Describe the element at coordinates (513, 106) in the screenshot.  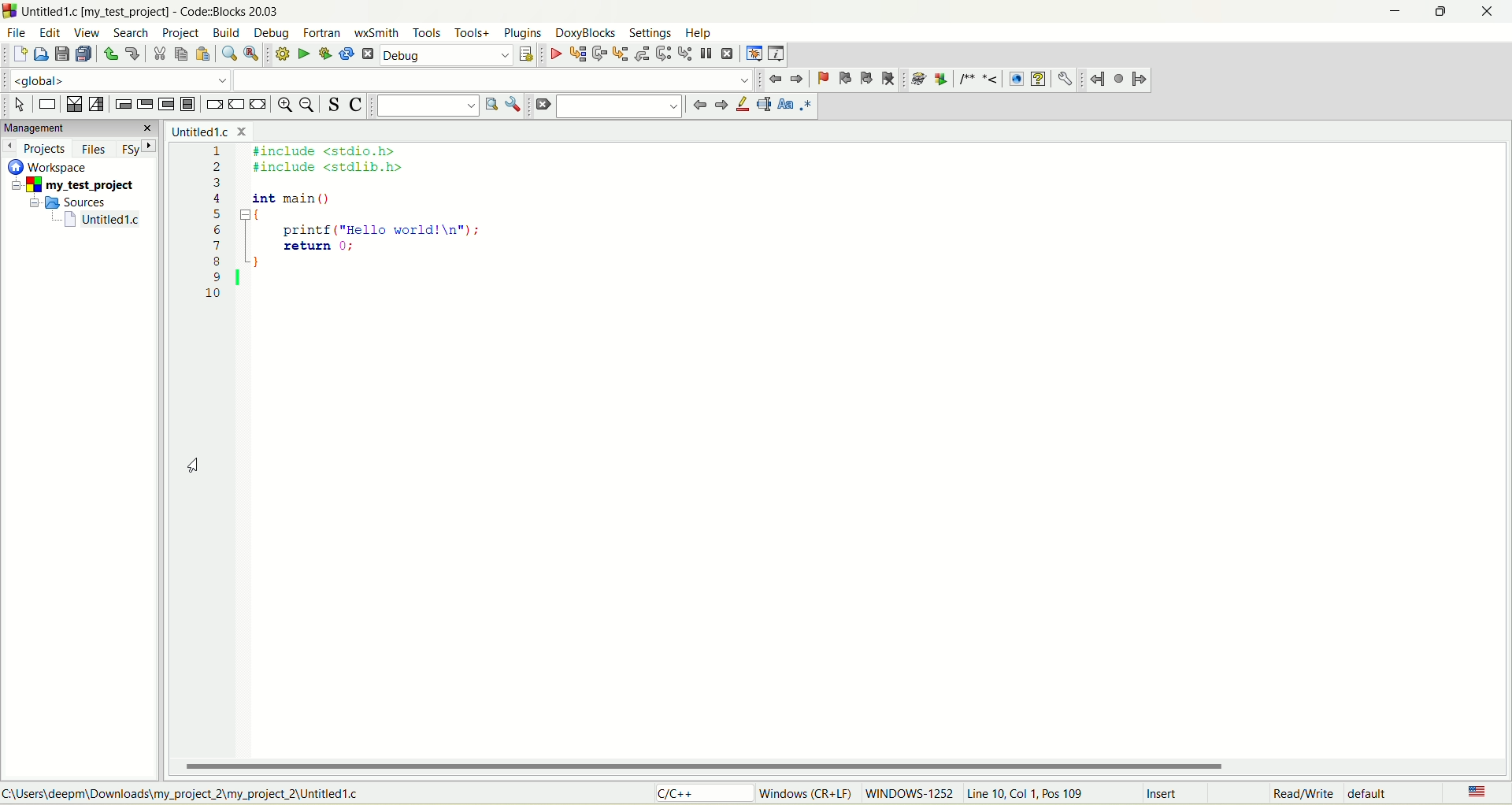
I see `options window` at that location.